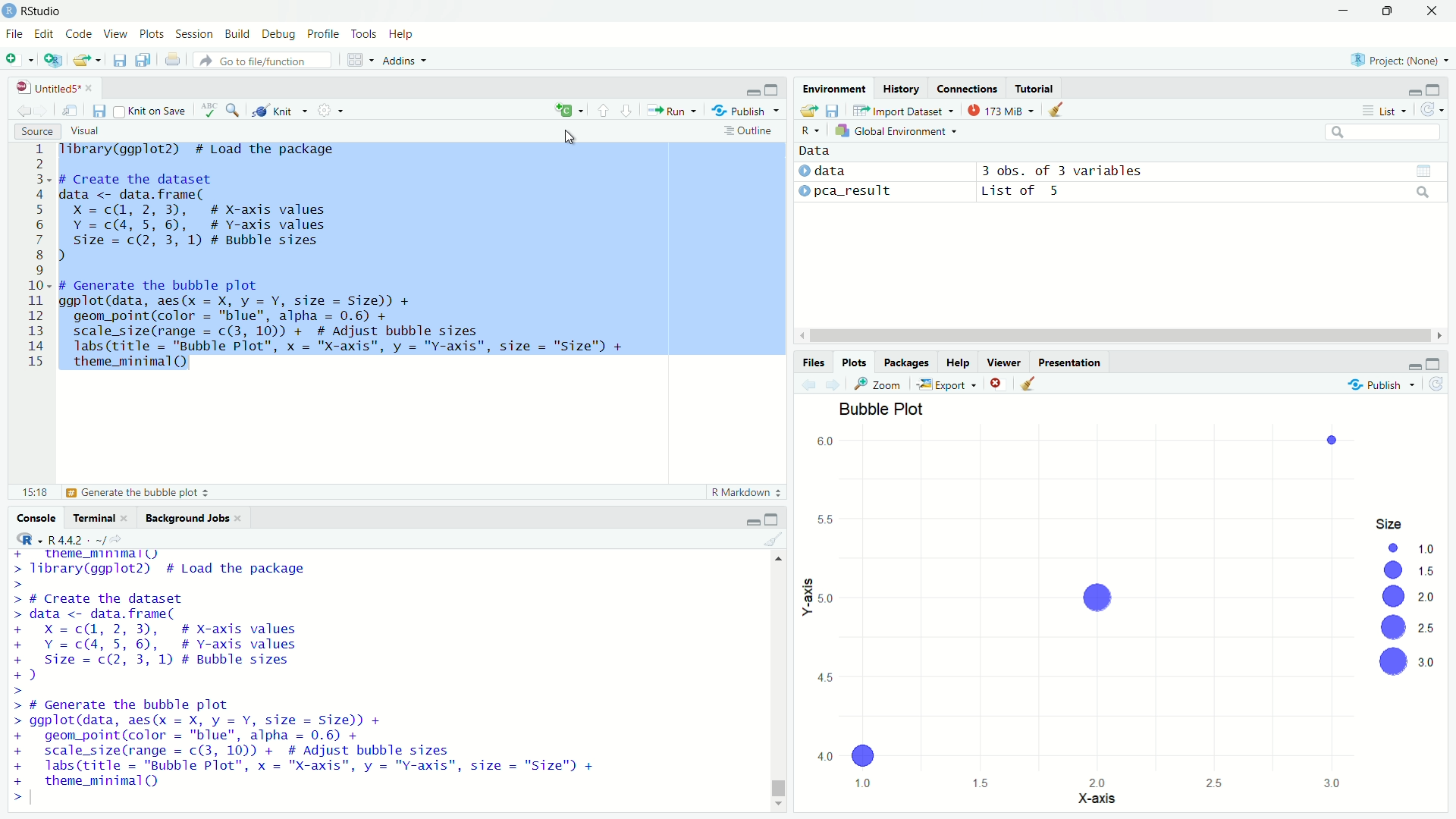  Describe the element at coordinates (1210, 193) in the screenshot. I see `data2 : list of 5` at that location.